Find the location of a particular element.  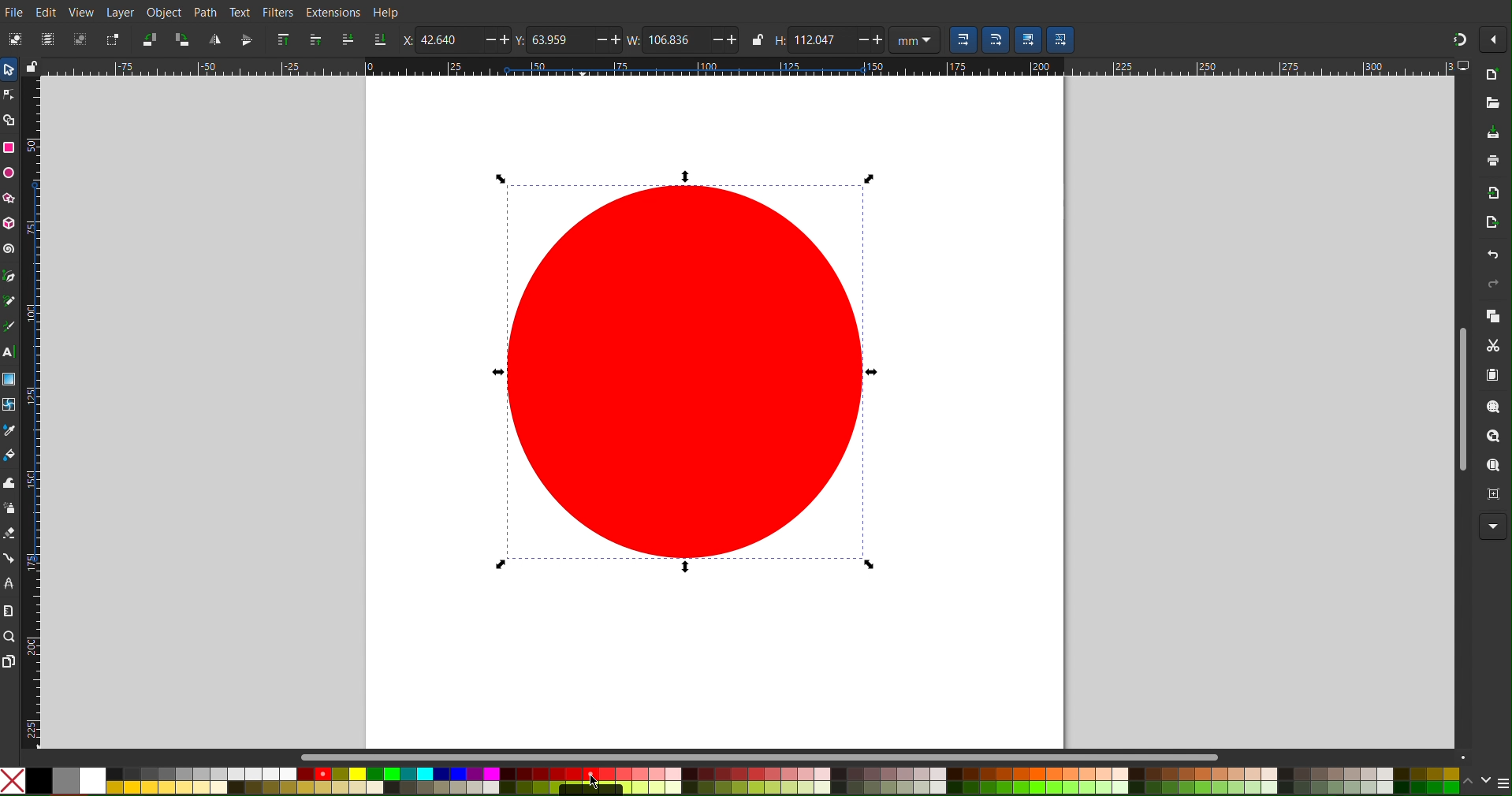

Mirror Vertically is located at coordinates (216, 39).